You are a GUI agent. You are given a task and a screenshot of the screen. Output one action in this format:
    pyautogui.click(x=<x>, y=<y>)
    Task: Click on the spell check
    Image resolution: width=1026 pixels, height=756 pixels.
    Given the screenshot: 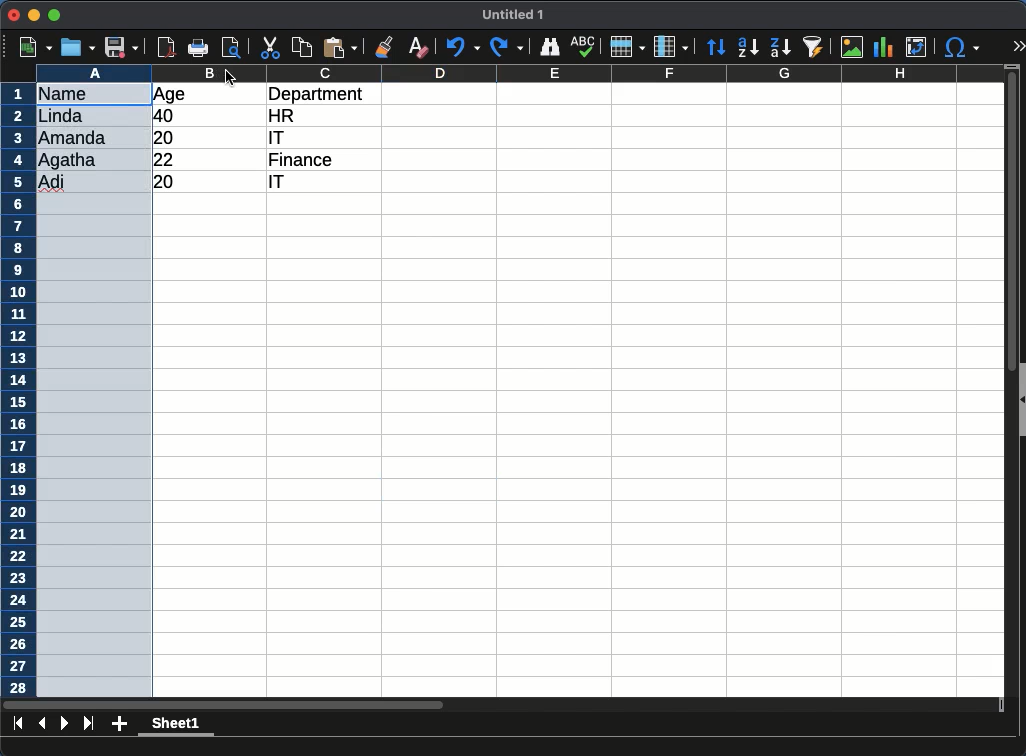 What is the action you would take?
    pyautogui.click(x=584, y=44)
    